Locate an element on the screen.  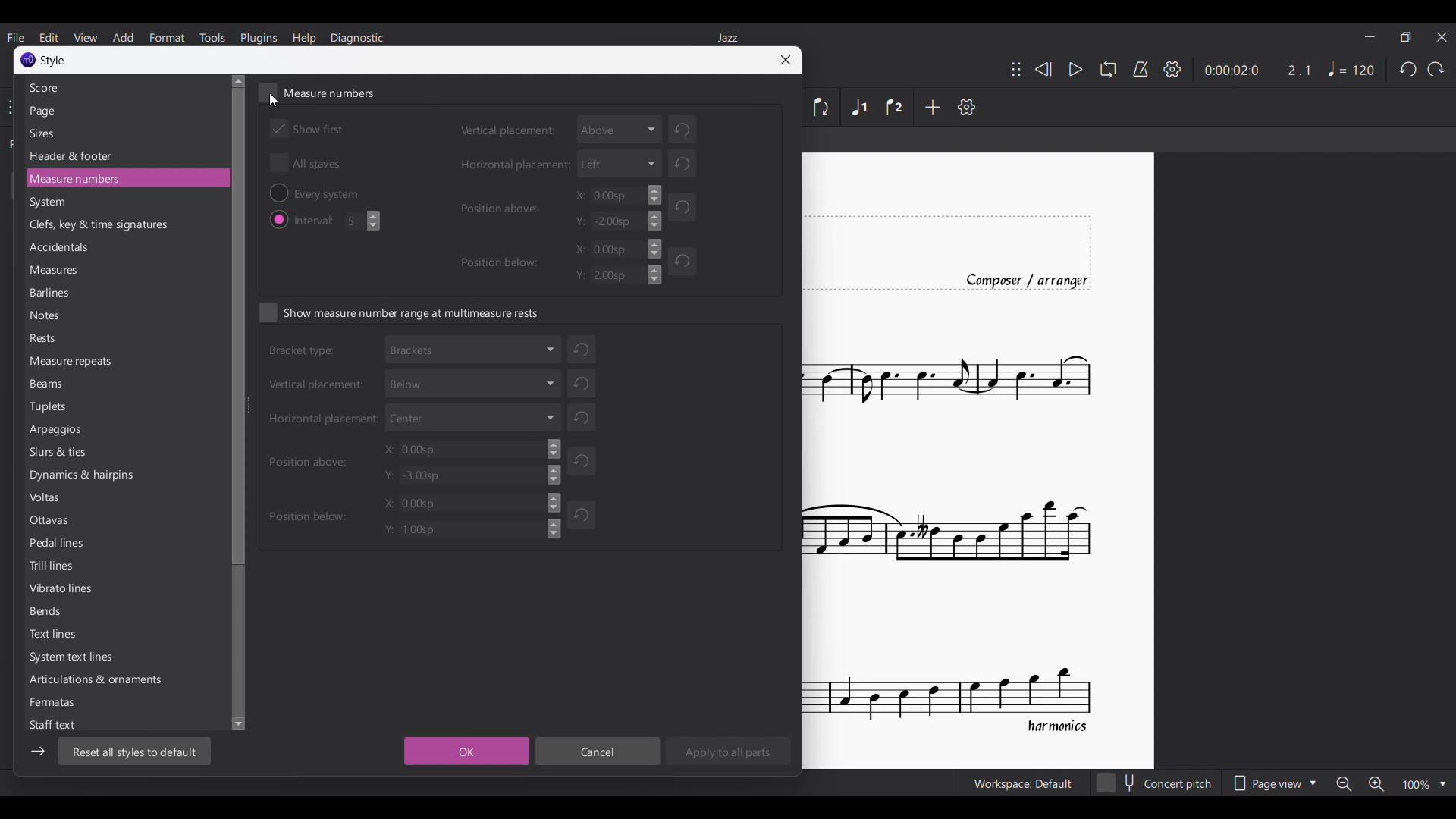
Indicates settings for each is located at coordinates (506, 133).